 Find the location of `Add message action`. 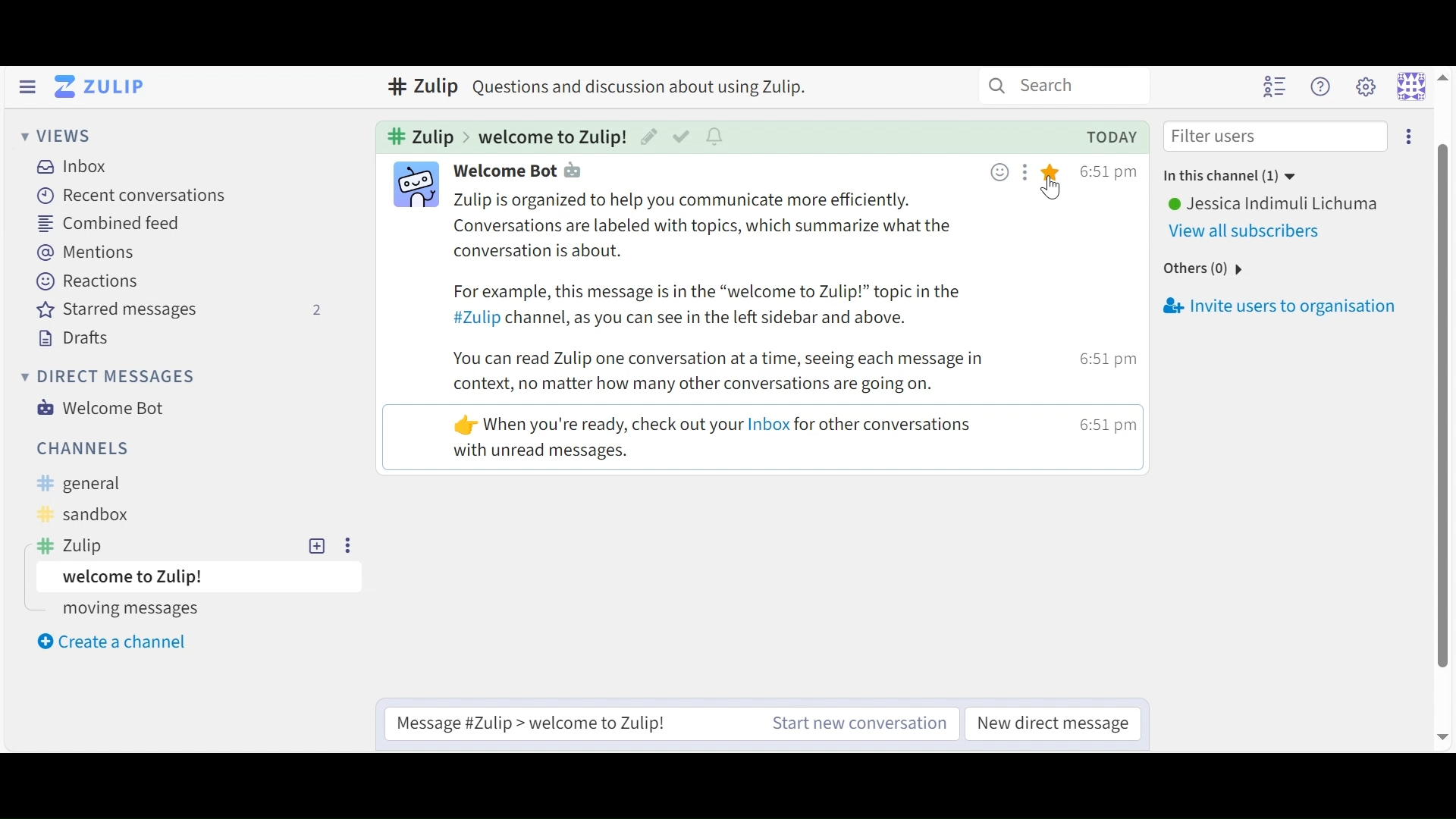

Add message action is located at coordinates (1022, 170).